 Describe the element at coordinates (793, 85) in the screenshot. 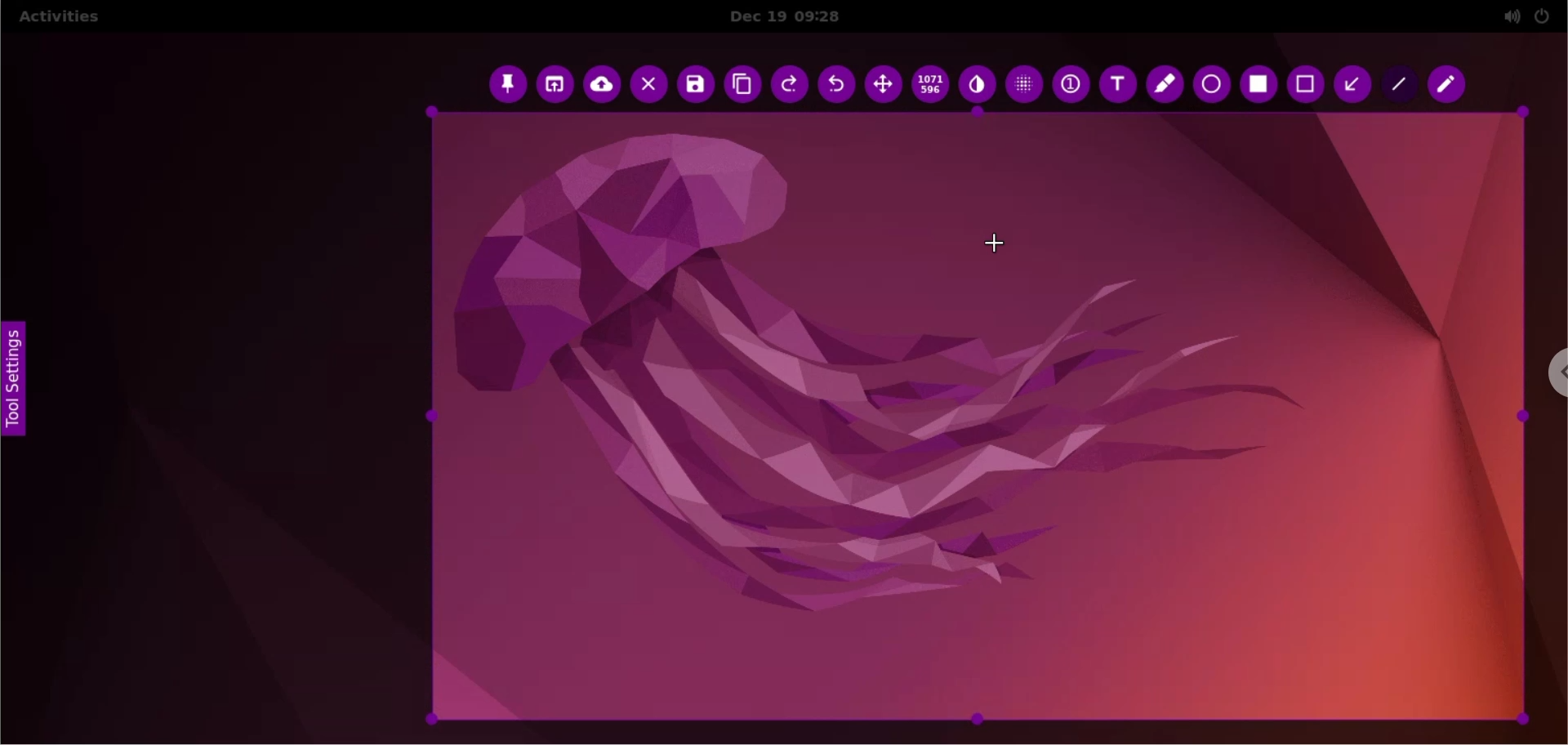

I see `redo` at that location.